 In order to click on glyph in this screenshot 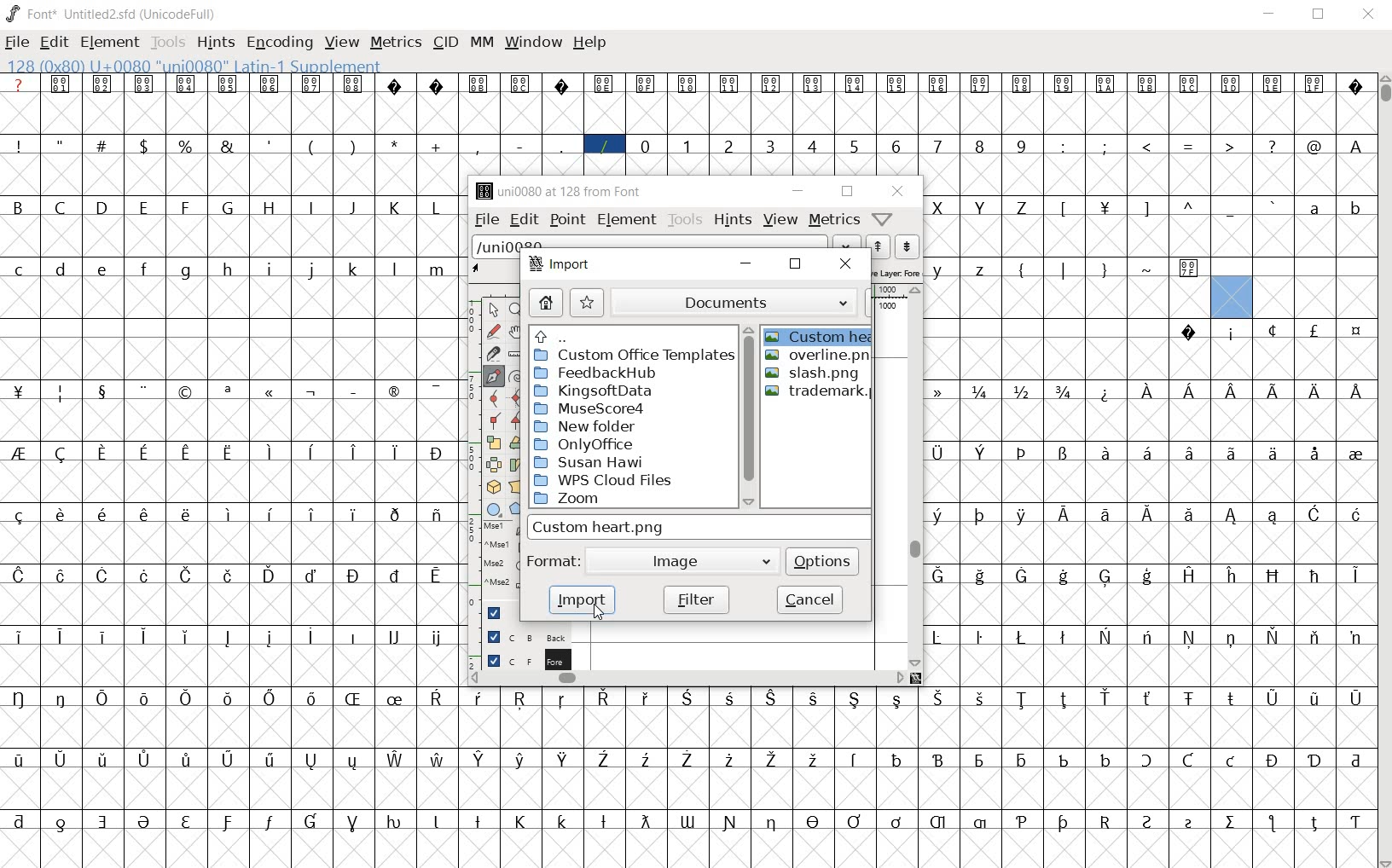, I will do `click(310, 270)`.